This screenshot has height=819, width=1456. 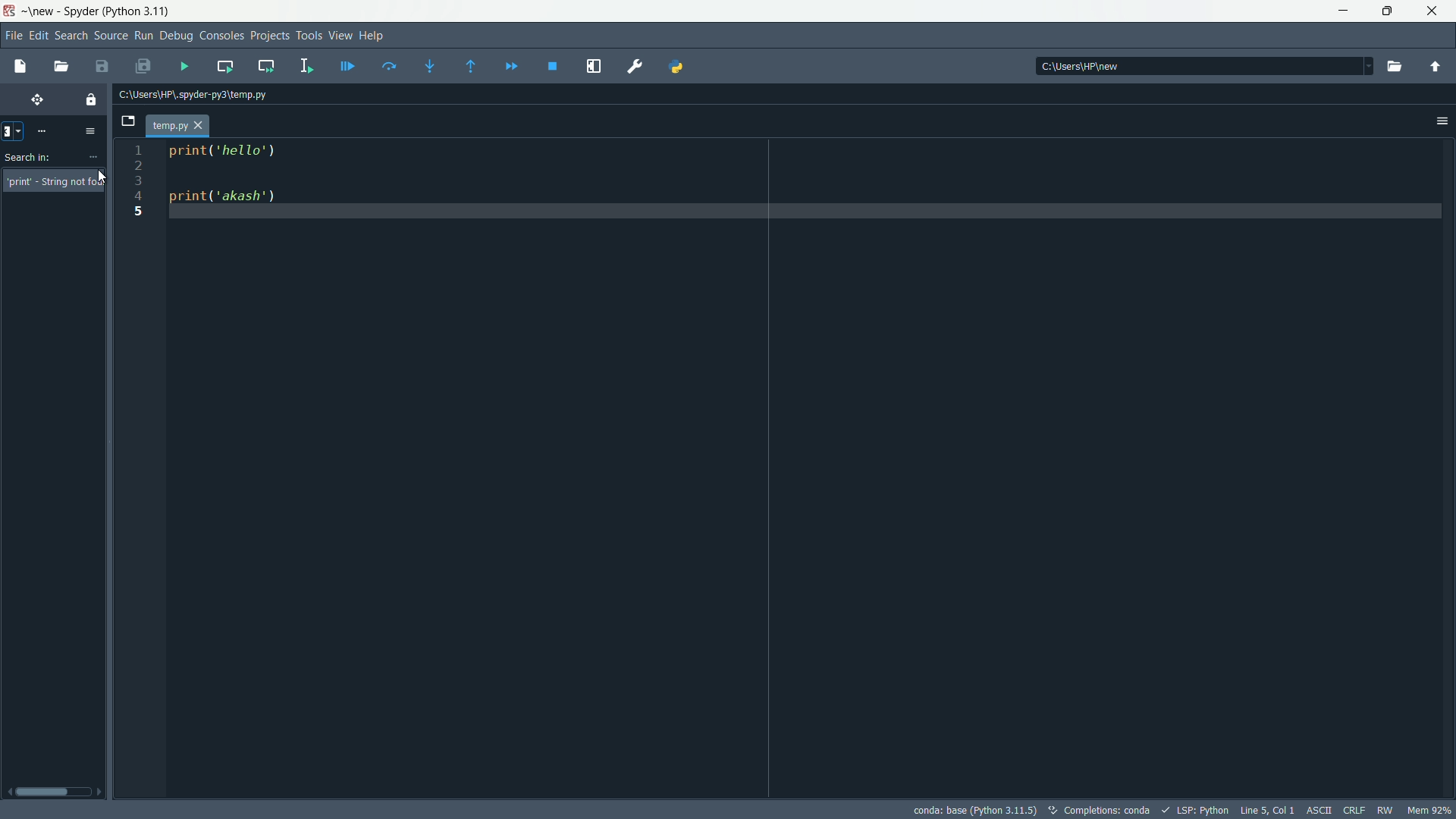 I want to click on cursor, so click(x=99, y=174).